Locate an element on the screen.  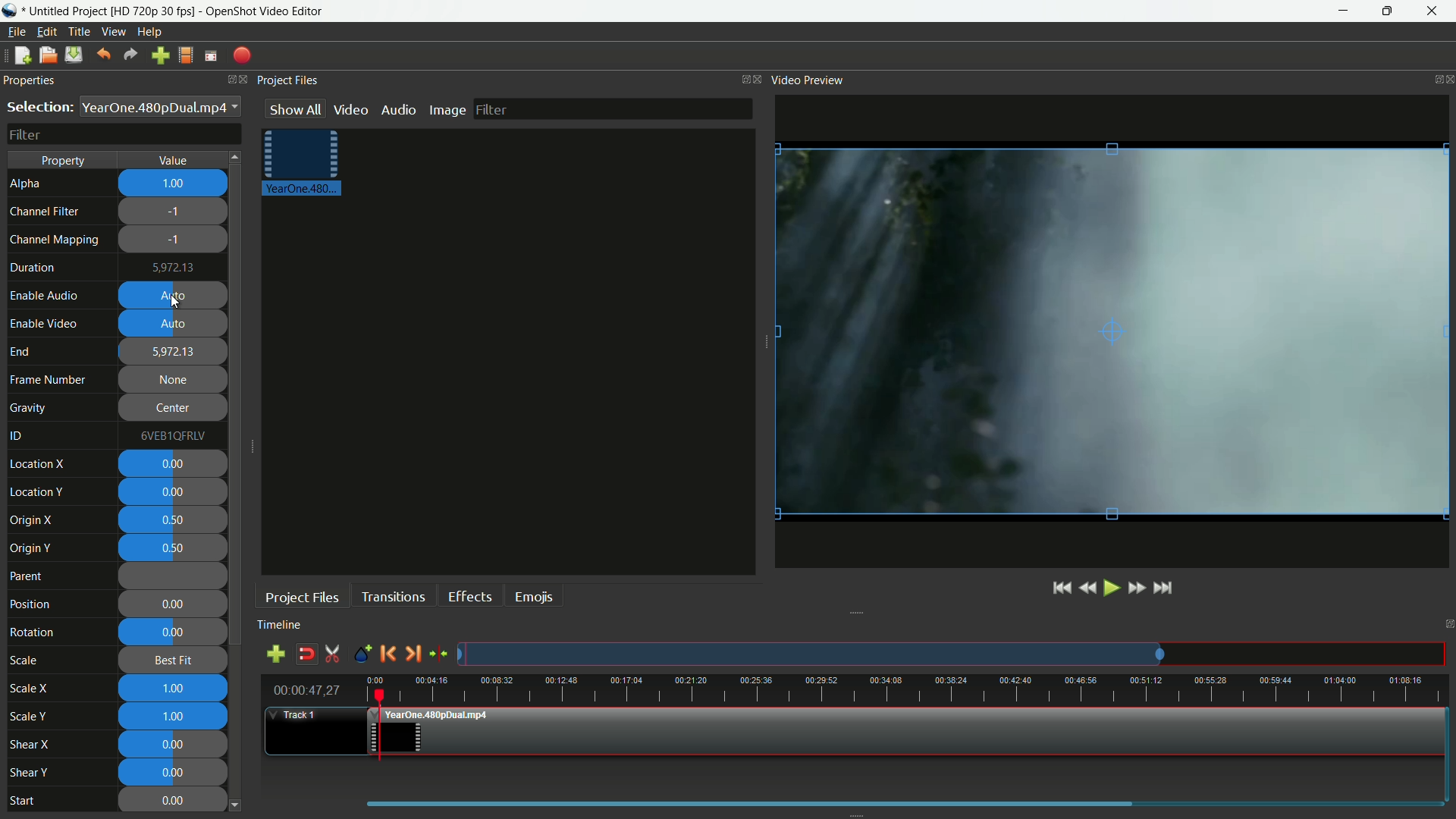
show all is located at coordinates (295, 110).